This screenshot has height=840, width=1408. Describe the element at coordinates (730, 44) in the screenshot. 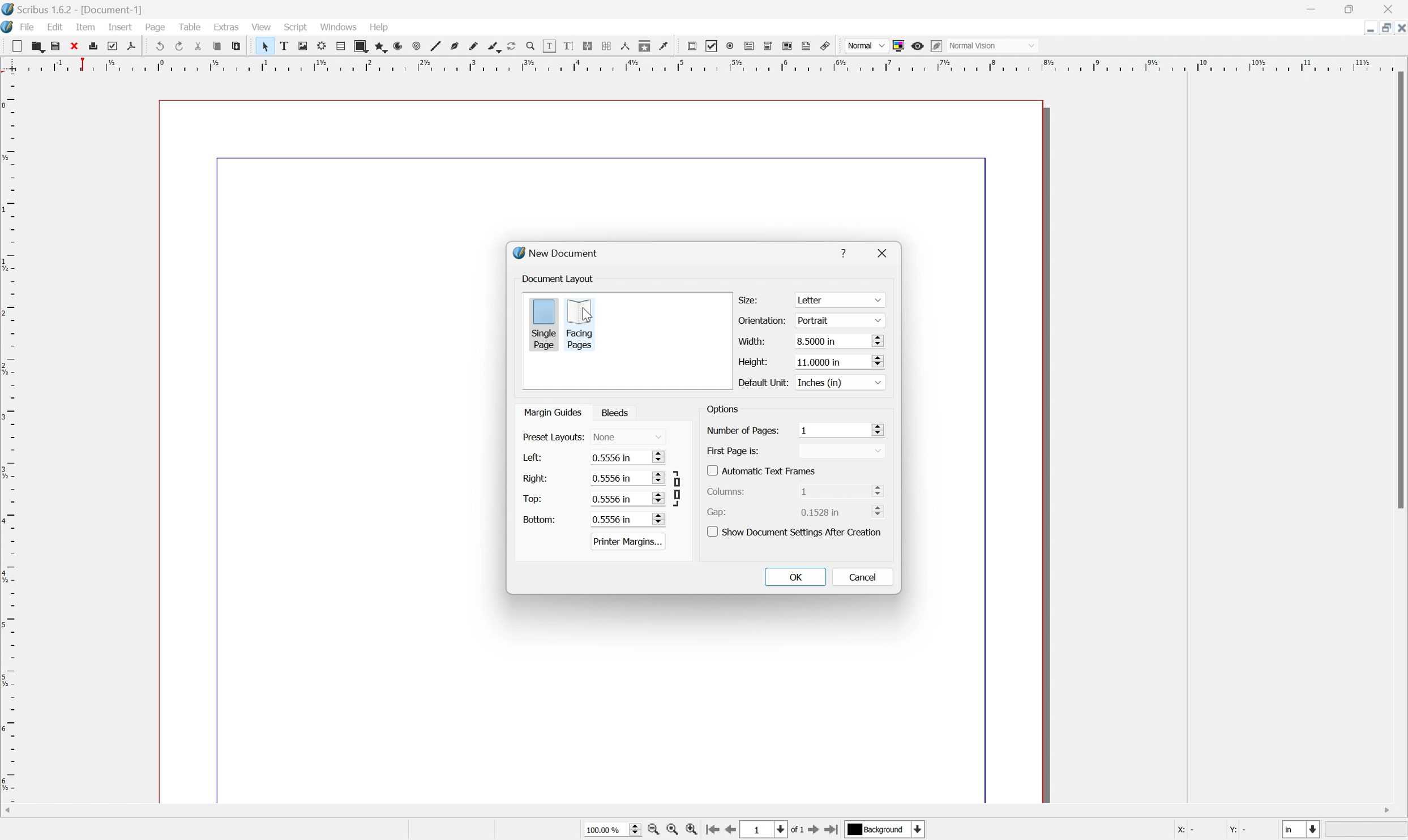

I see `pdf radio button` at that location.